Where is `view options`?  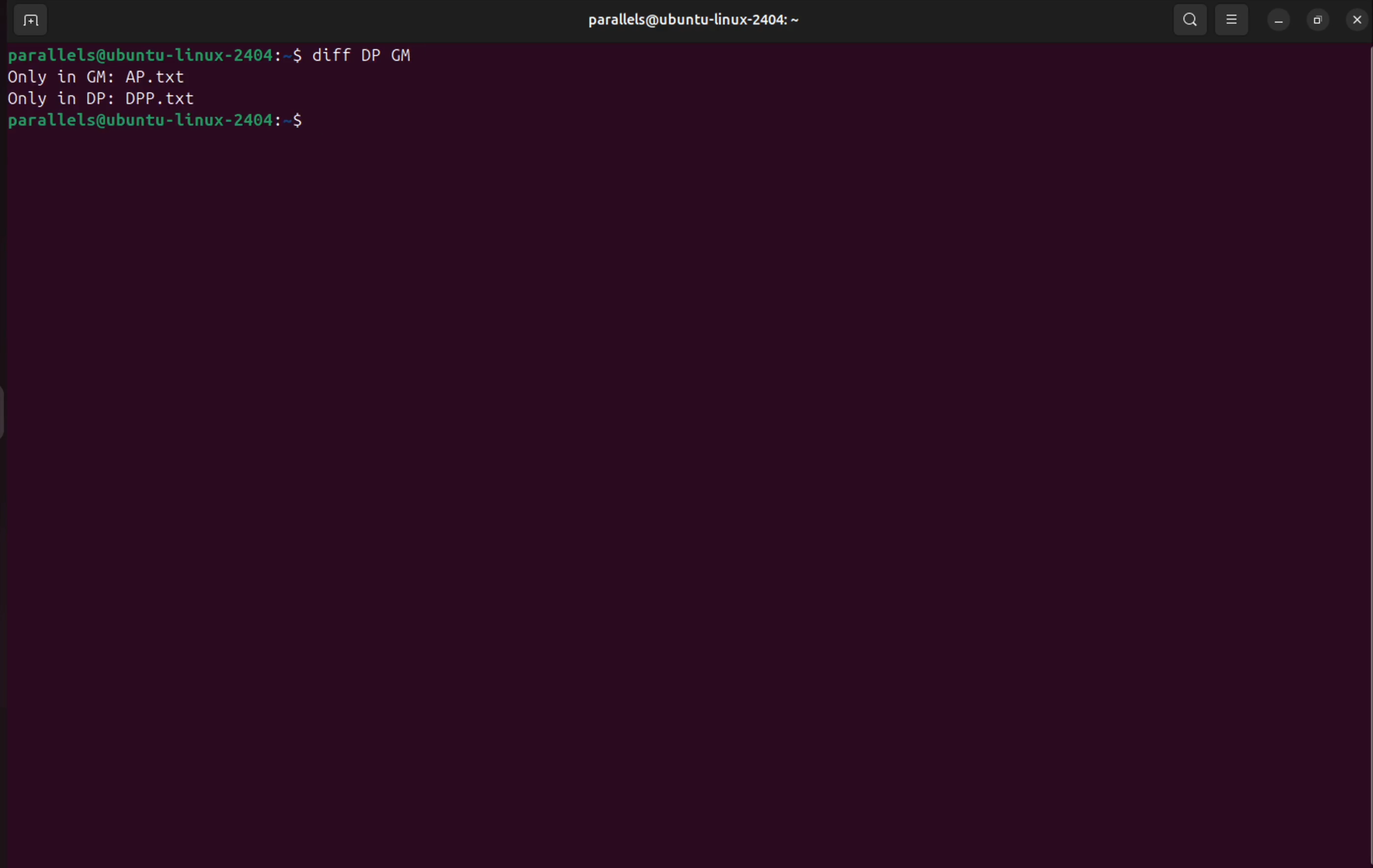
view options is located at coordinates (1235, 20).